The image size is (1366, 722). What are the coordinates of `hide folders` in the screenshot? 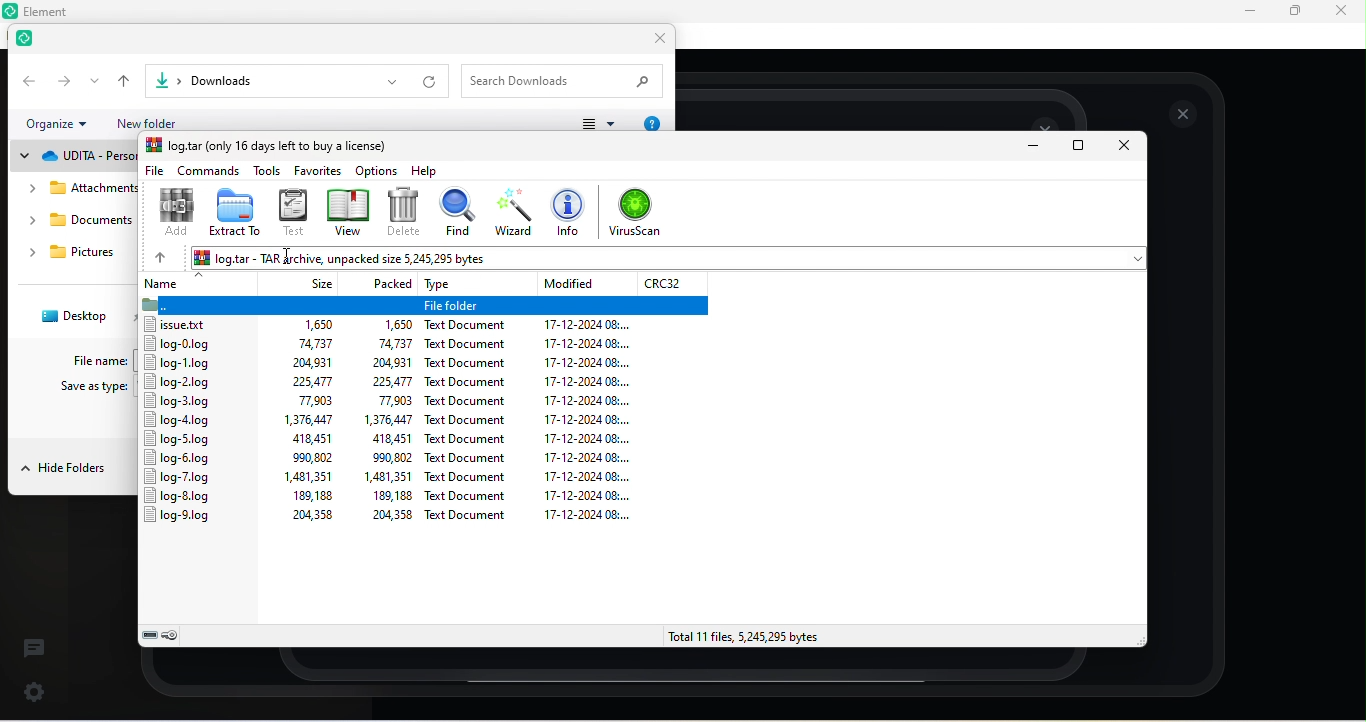 It's located at (65, 470).